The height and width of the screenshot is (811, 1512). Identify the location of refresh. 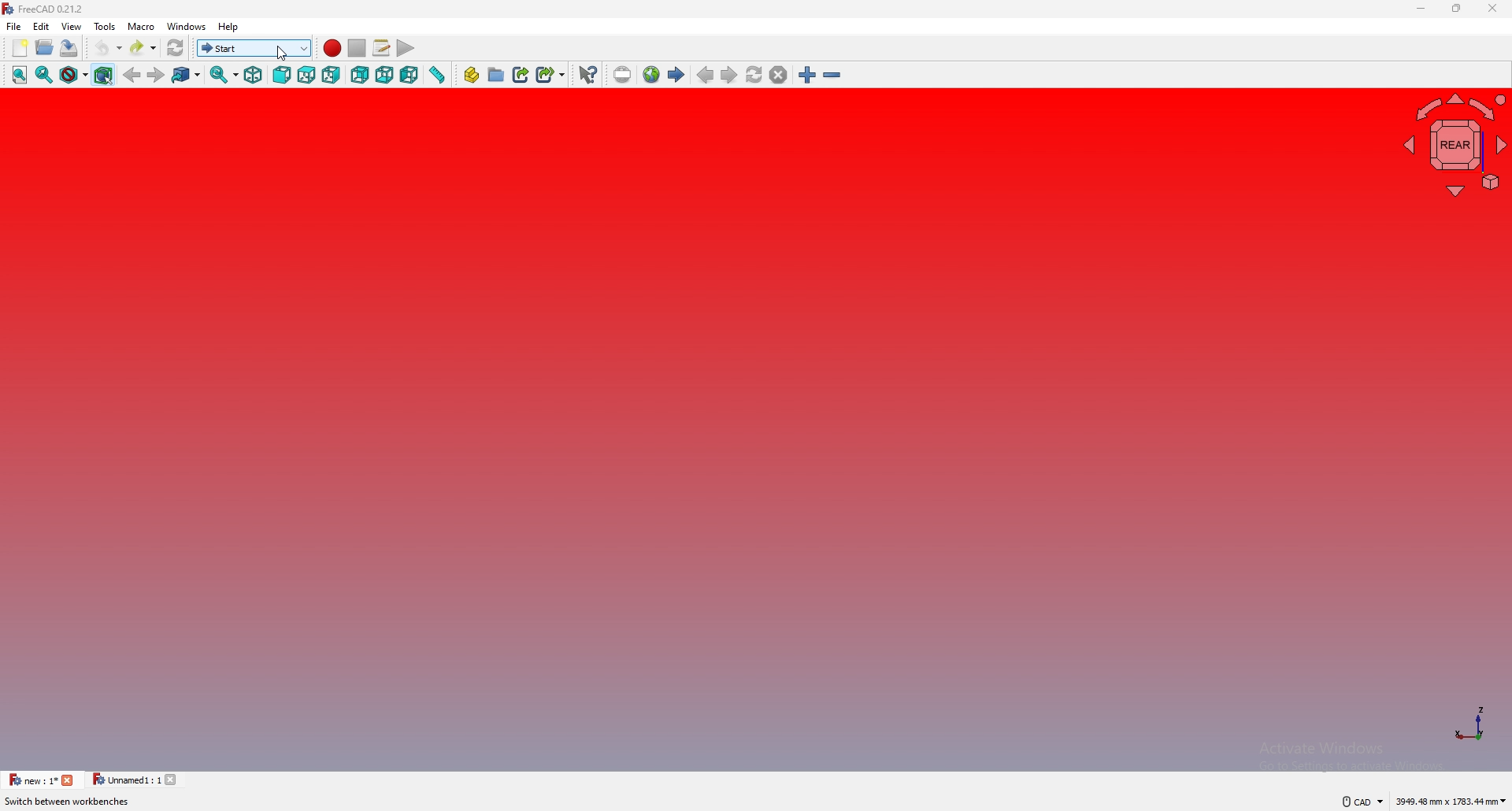
(176, 48).